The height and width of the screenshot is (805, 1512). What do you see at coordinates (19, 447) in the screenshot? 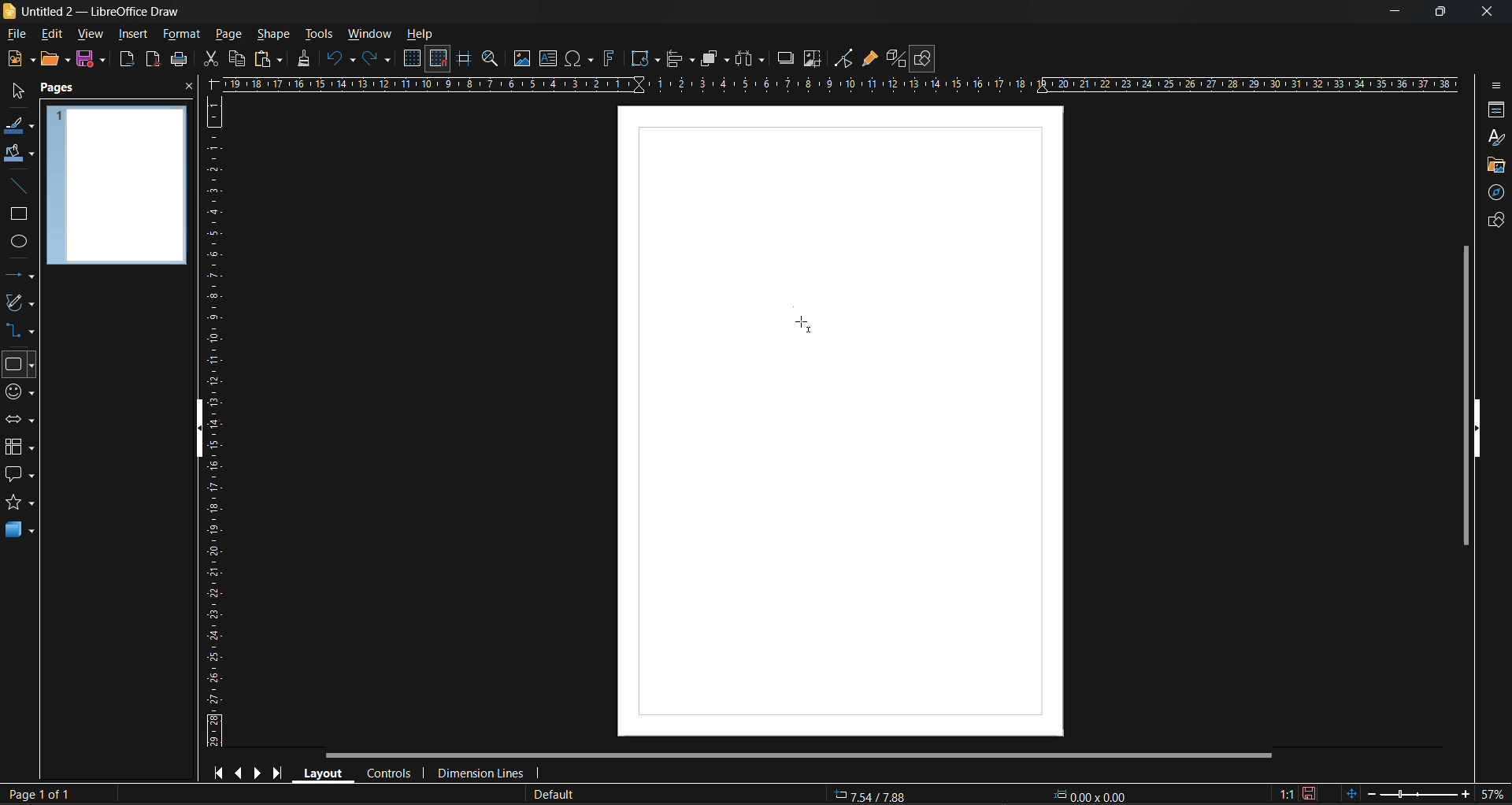
I see `flowchart` at bounding box center [19, 447].